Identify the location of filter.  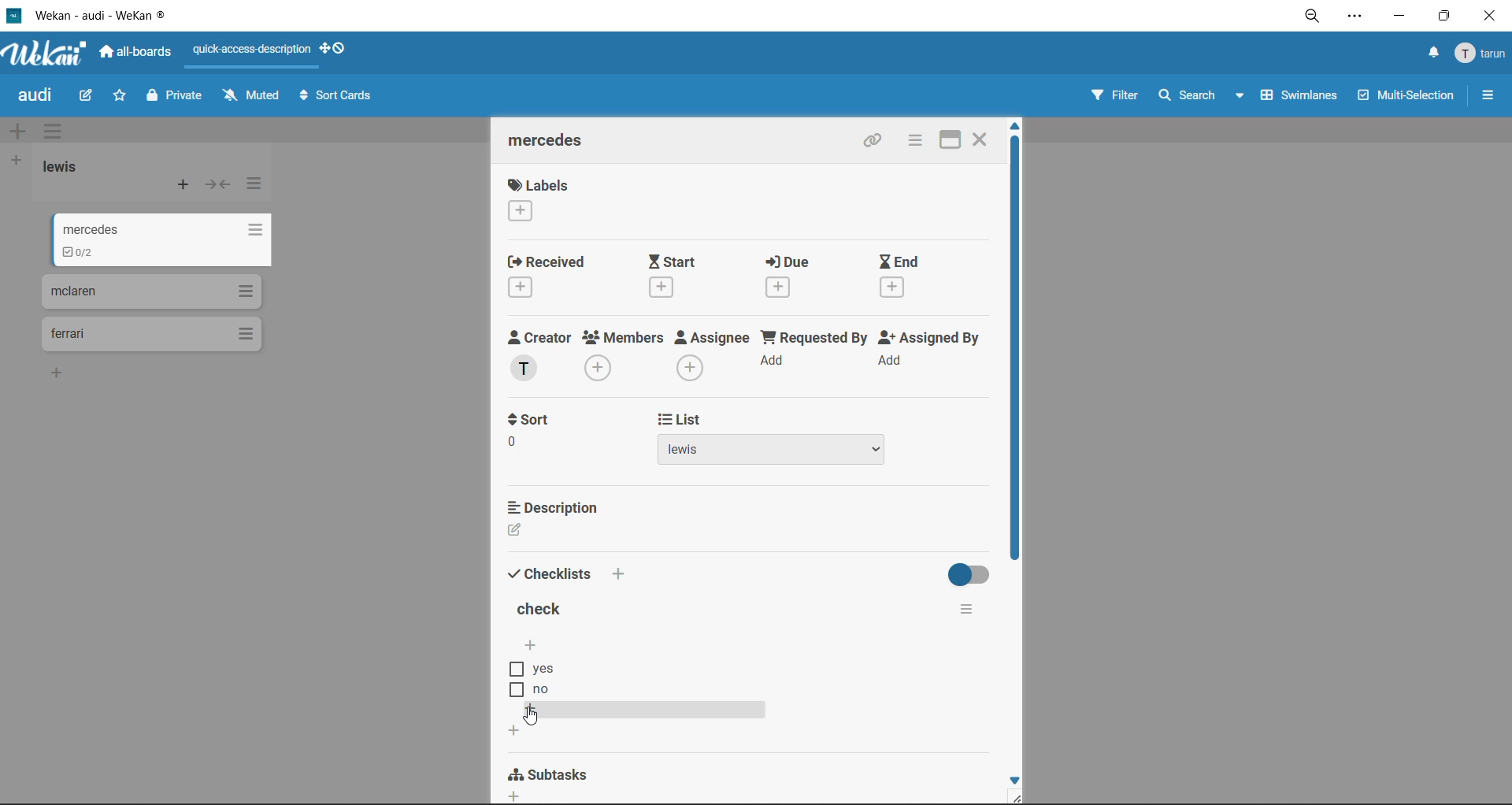
(1120, 97).